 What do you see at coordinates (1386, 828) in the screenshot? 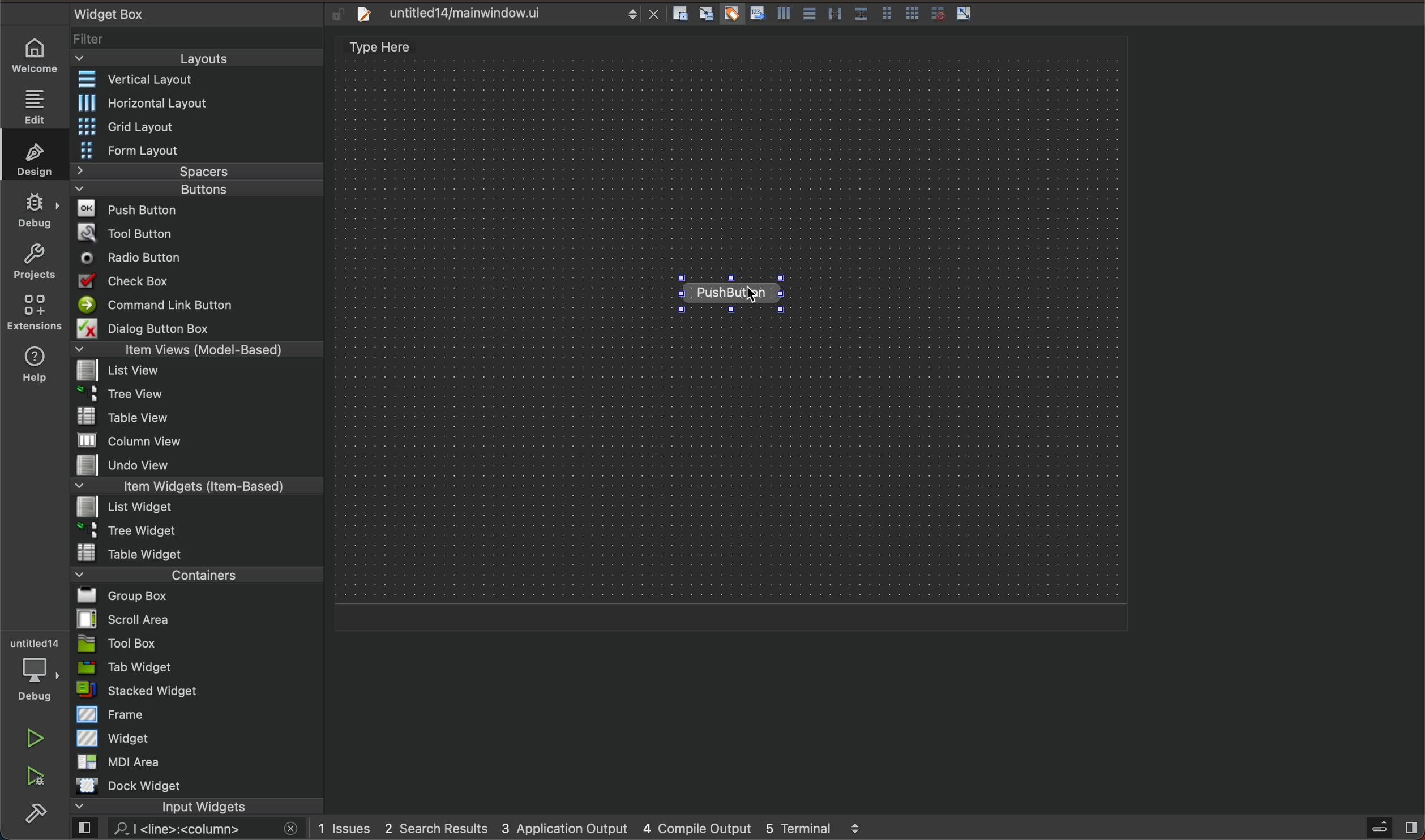
I see `sidebar` at bounding box center [1386, 828].